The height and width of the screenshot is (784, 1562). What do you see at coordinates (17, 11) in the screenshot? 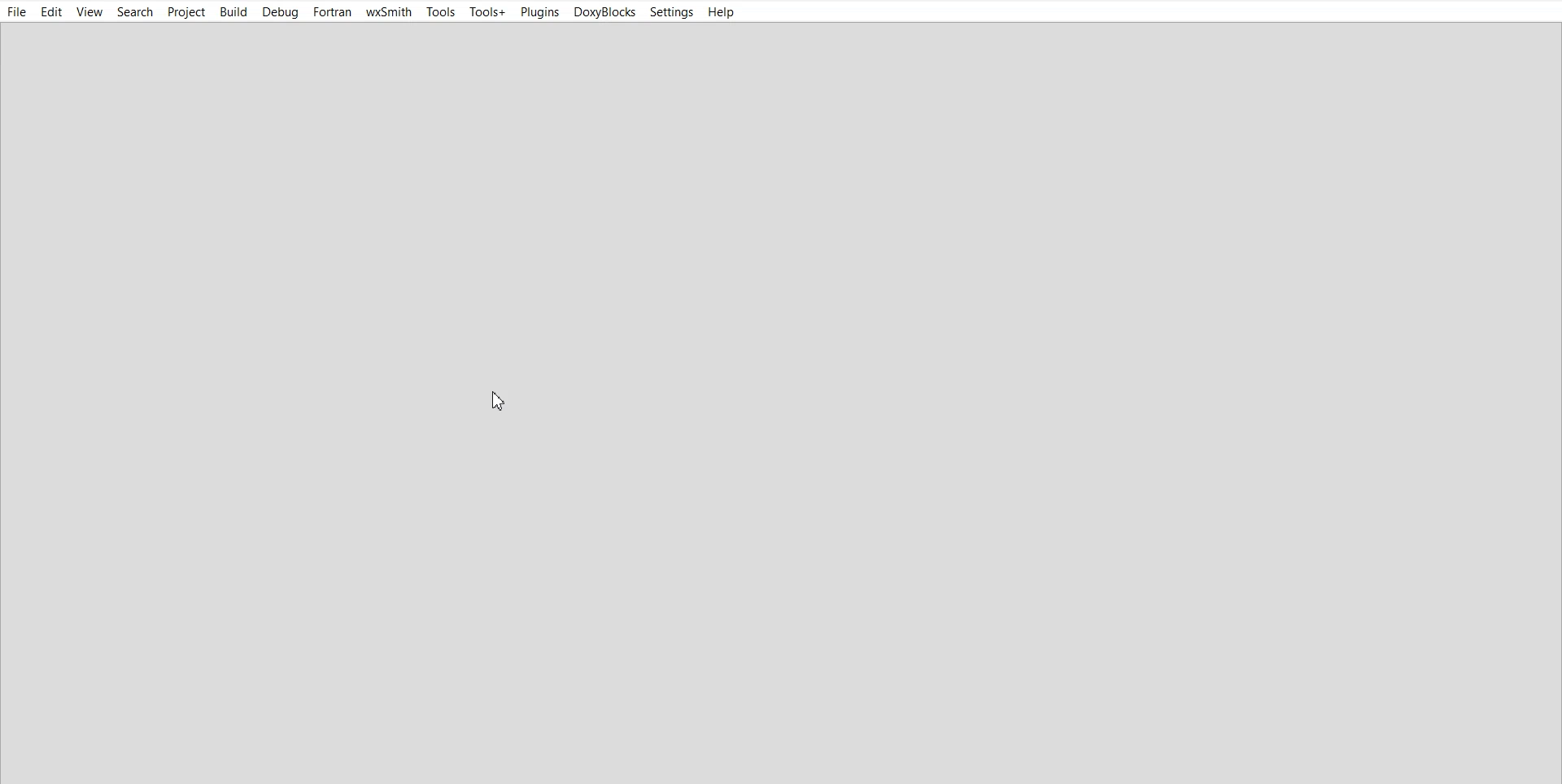
I see `File` at bounding box center [17, 11].